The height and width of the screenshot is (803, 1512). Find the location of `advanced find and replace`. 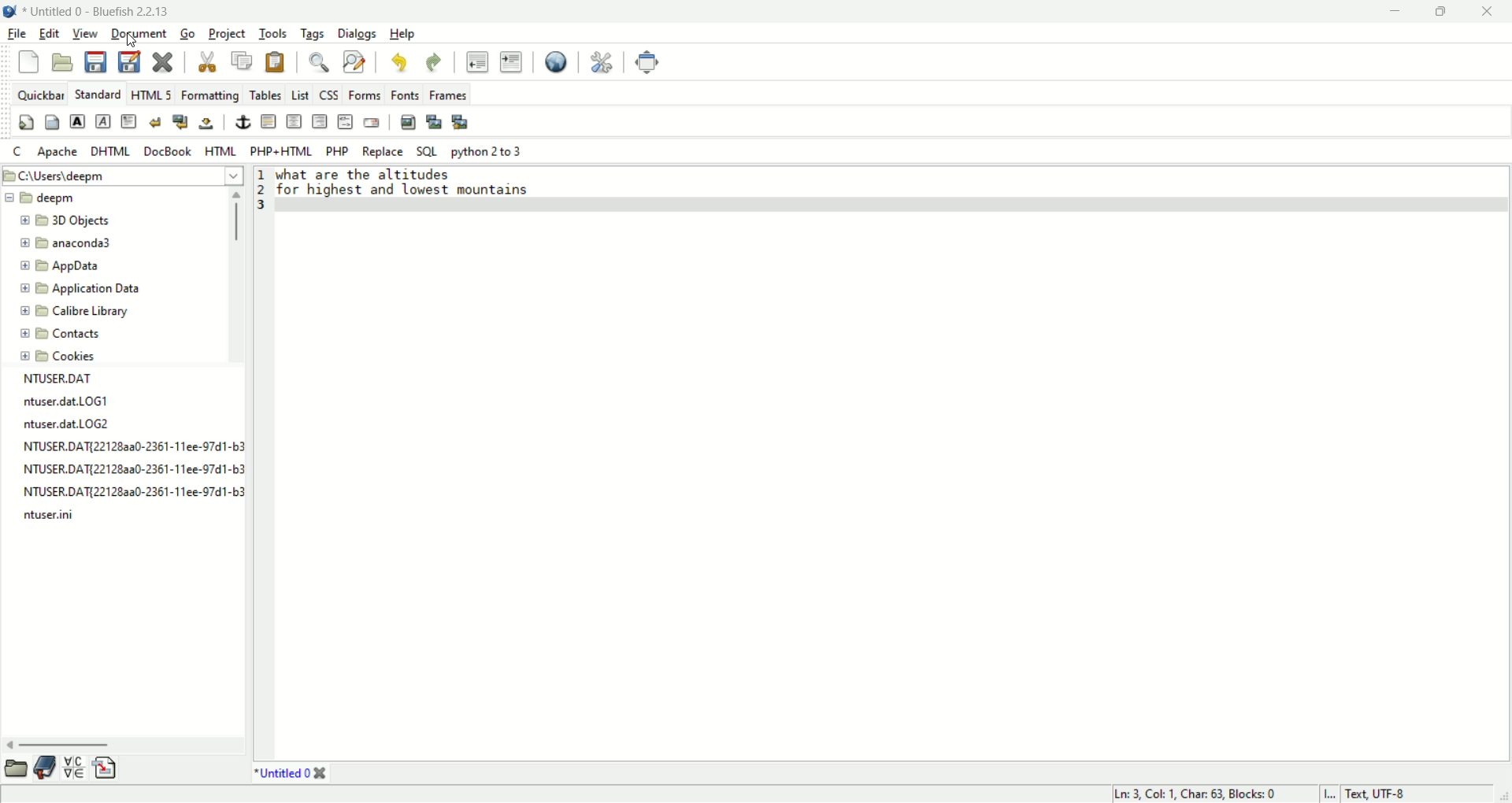

advanced find and replace is located at coordinates (354, 63).